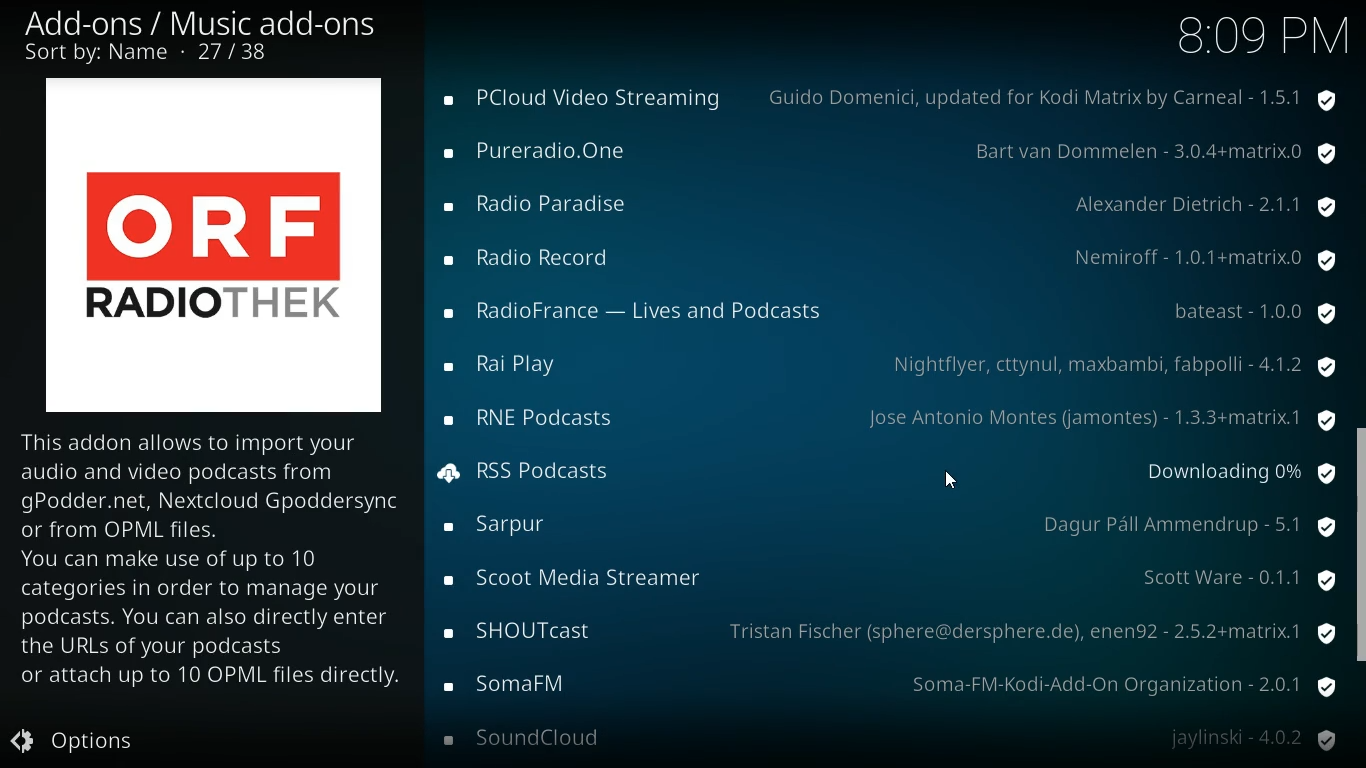  Describe the element at coordinates (1242, 473) in the screenshot. I see `installing` at that location.